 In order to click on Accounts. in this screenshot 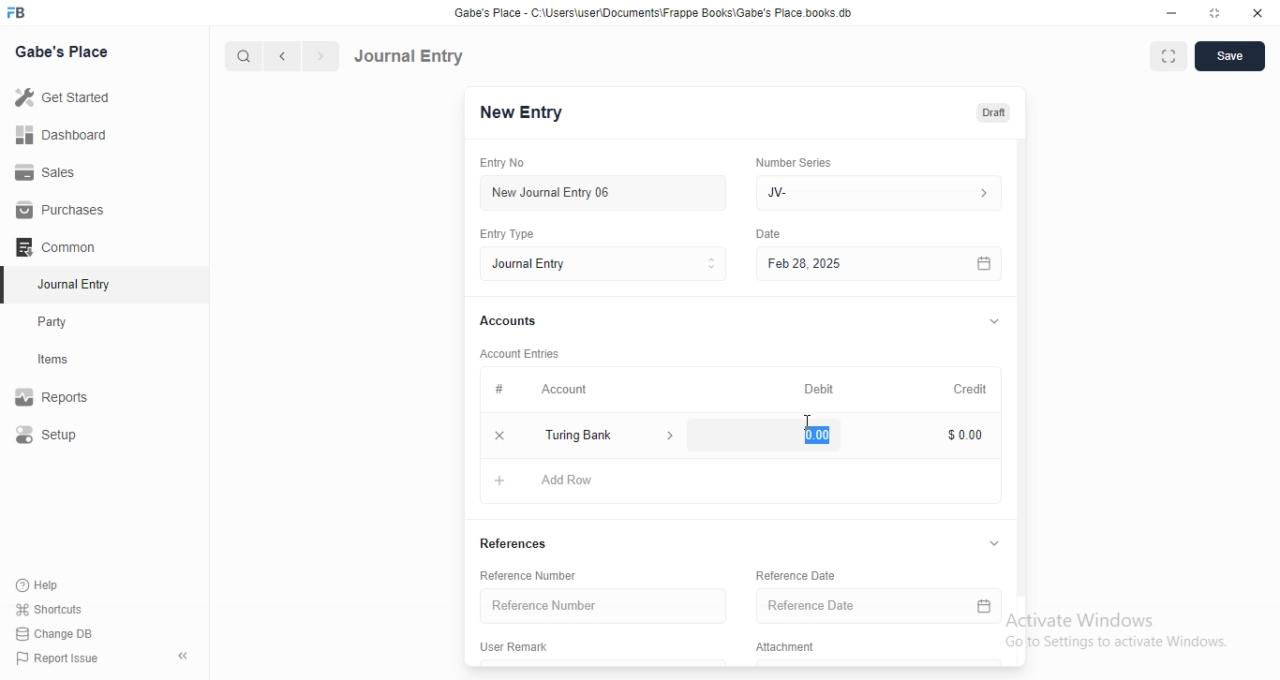, I will do `click(518, 322)`.